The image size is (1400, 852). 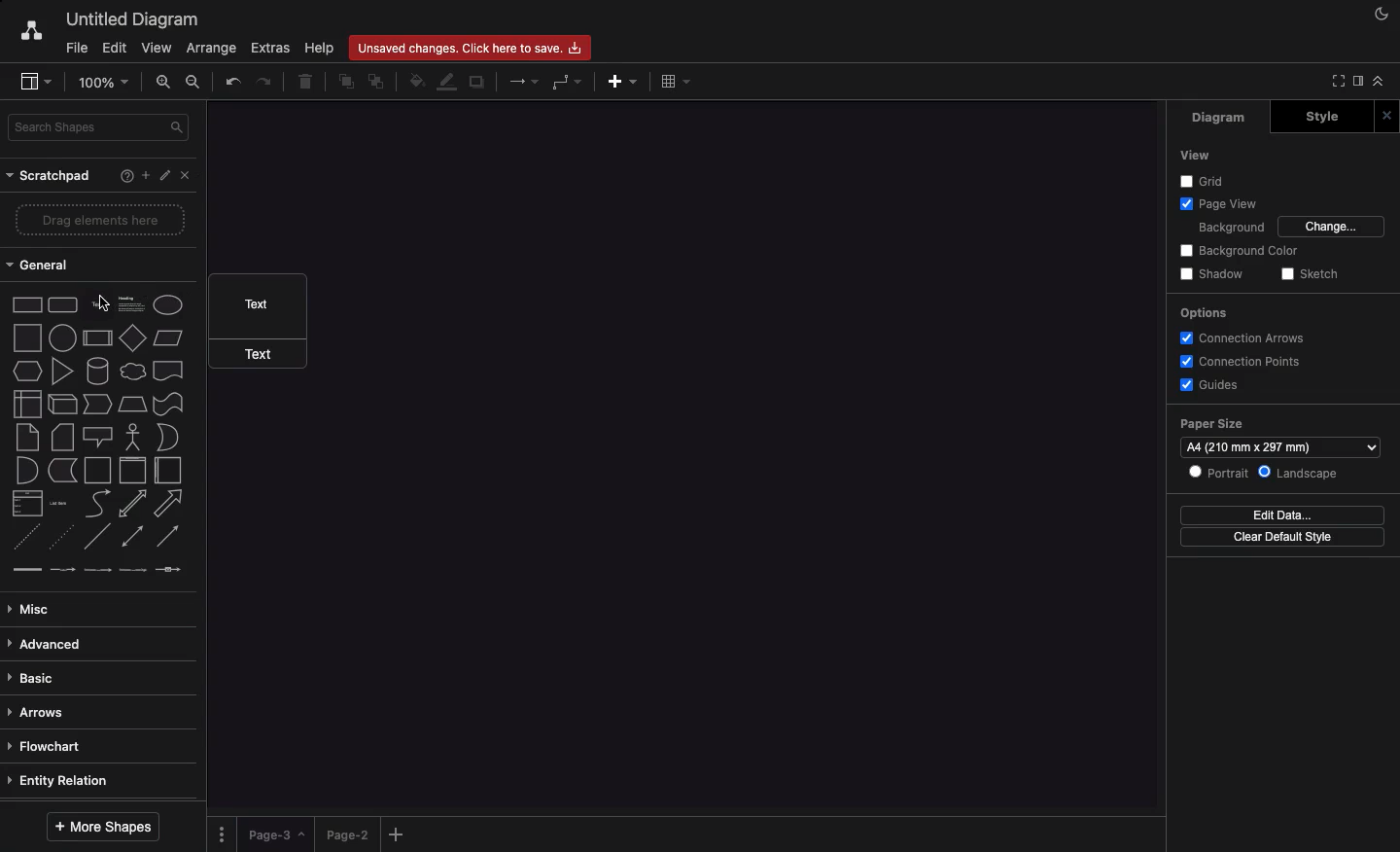 I want to click on Sketch, so click(x=1308, y=274).